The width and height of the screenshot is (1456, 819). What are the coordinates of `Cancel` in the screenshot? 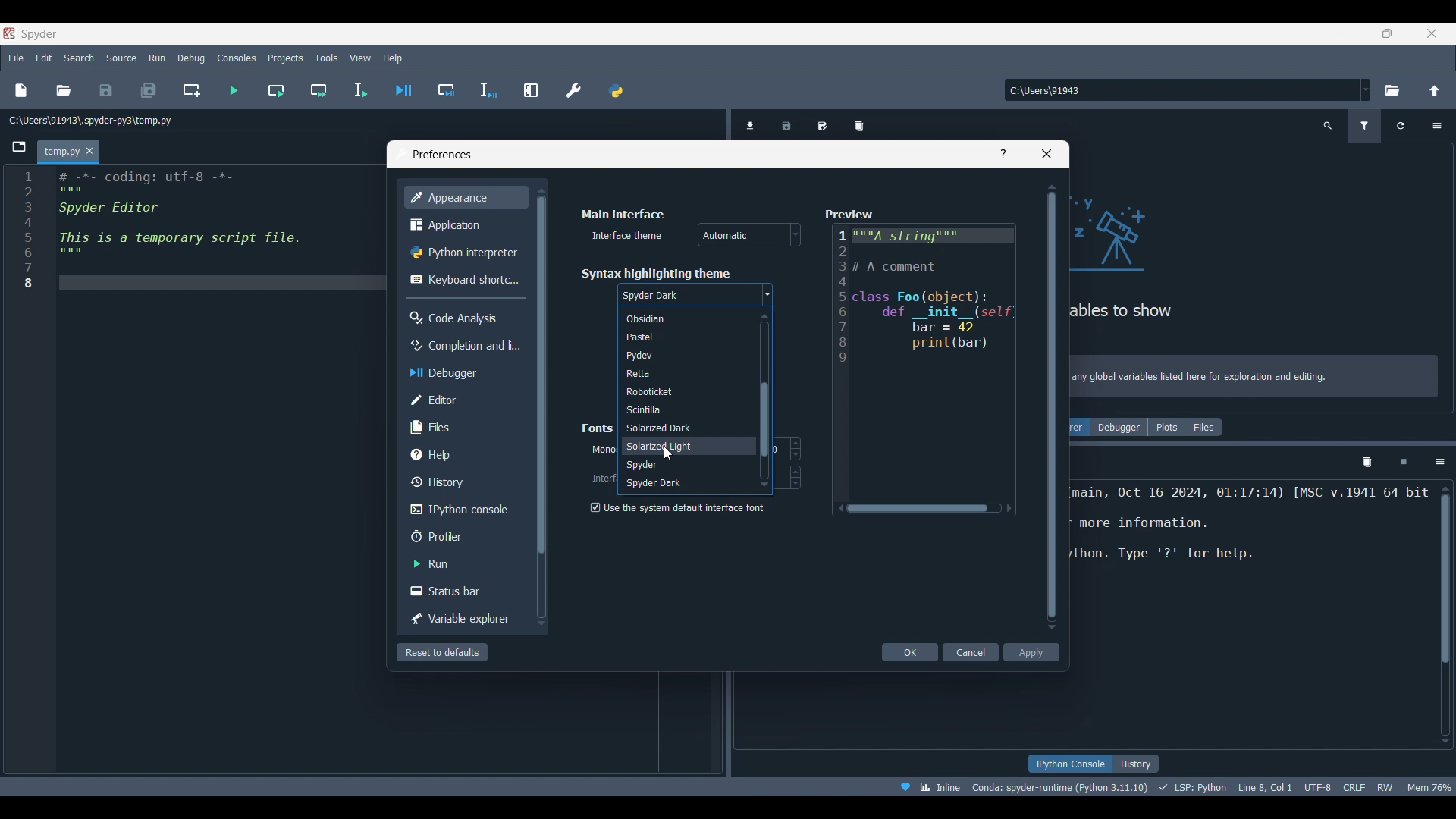 It's located at (971, 652).